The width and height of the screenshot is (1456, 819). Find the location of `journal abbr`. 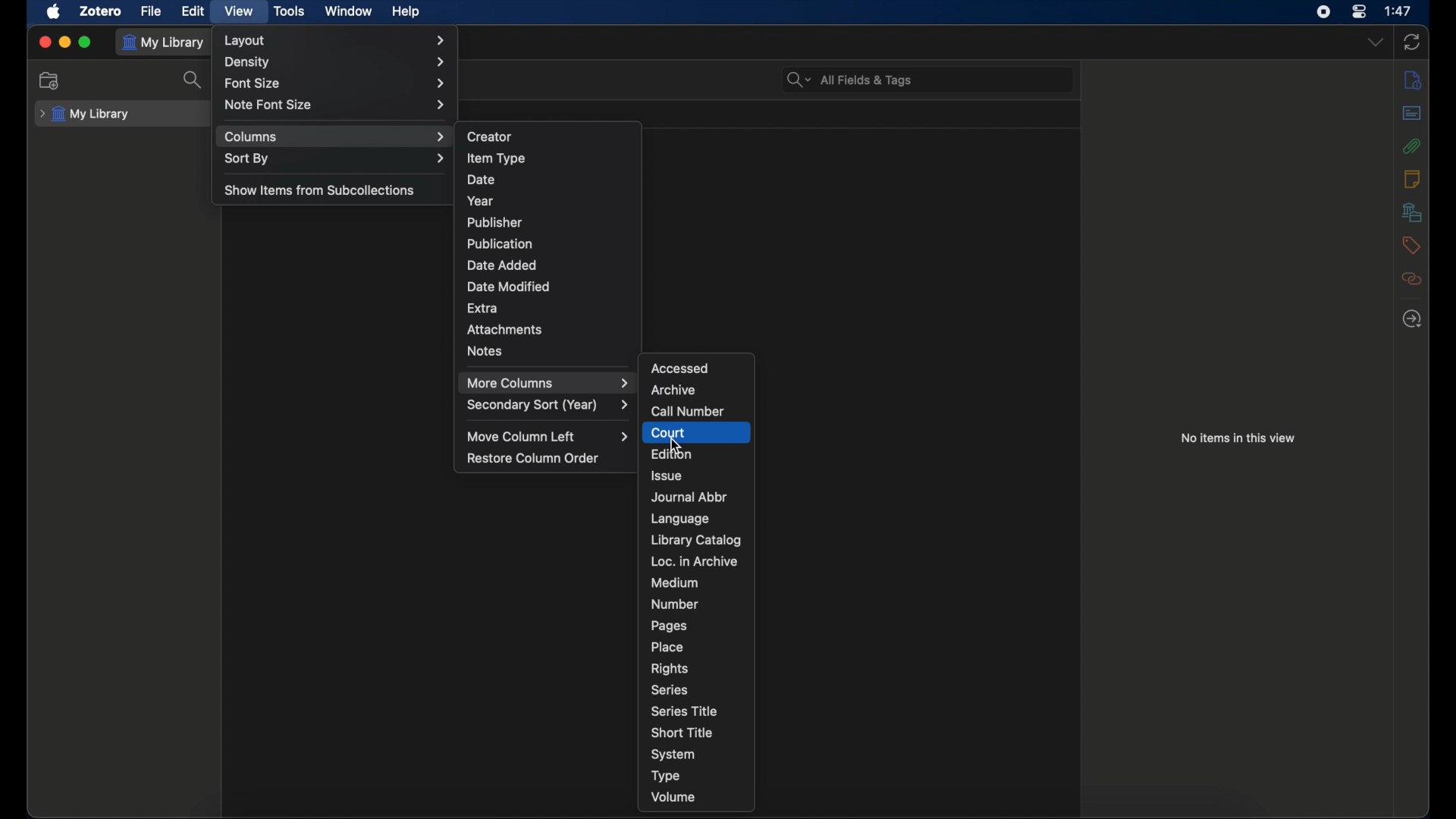

journal abbr is located at coordinates (690, 497).